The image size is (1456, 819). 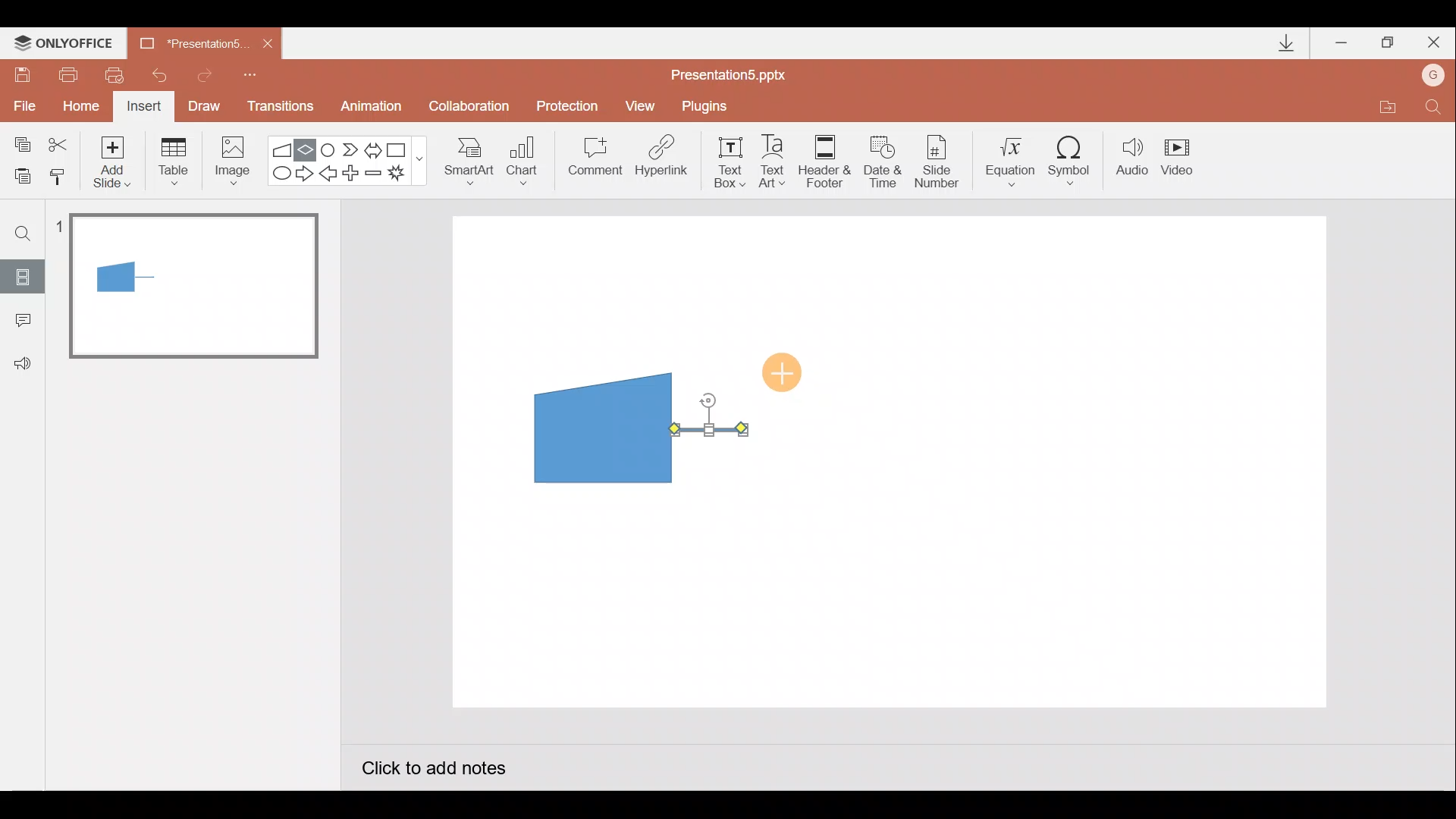 What do you see at coordinates (1078, 461) in the screenshot?
I see `Presentation slide` at bounding box center [1078, 461].